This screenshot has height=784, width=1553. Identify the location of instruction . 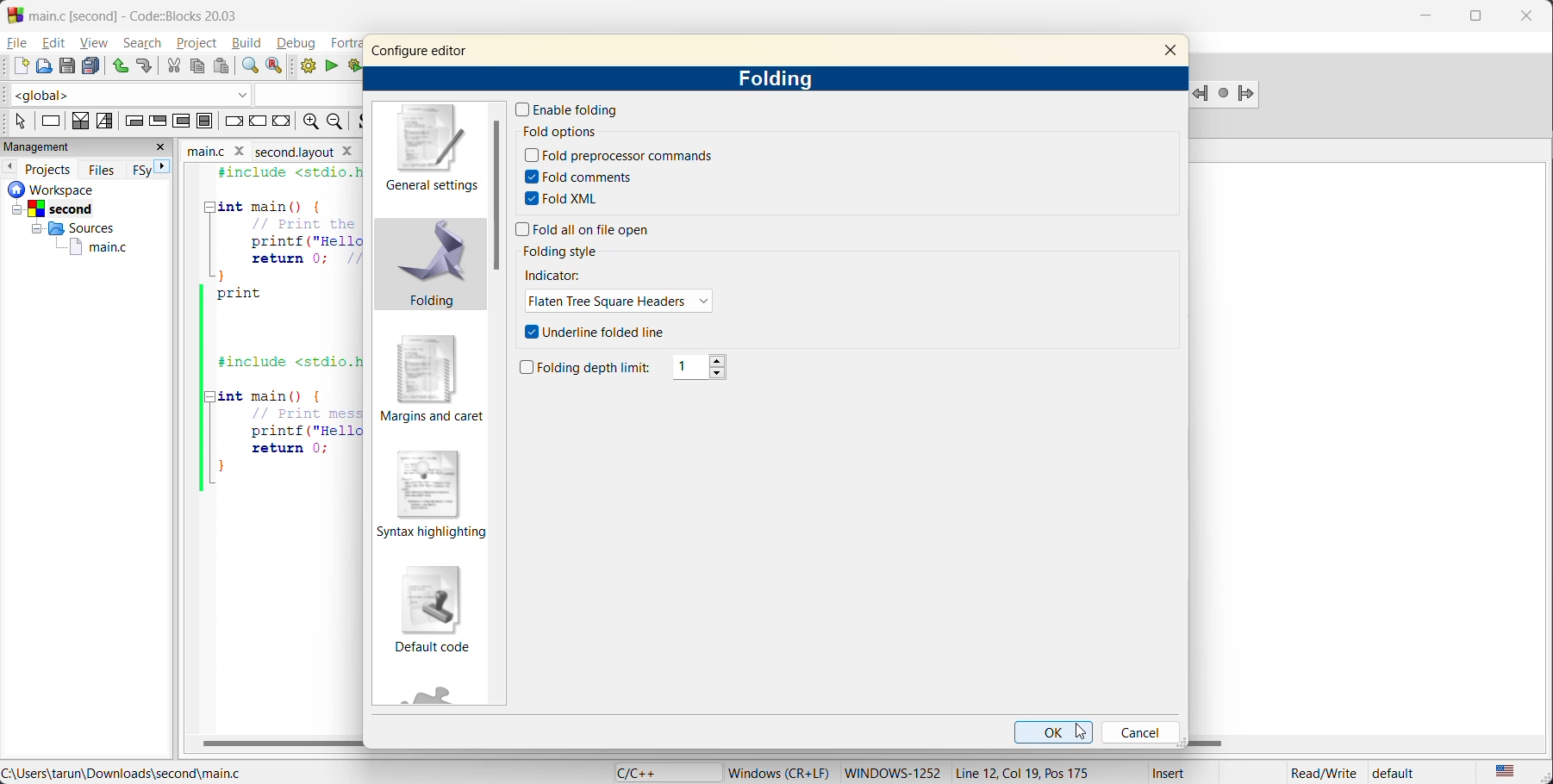
(52, 121).